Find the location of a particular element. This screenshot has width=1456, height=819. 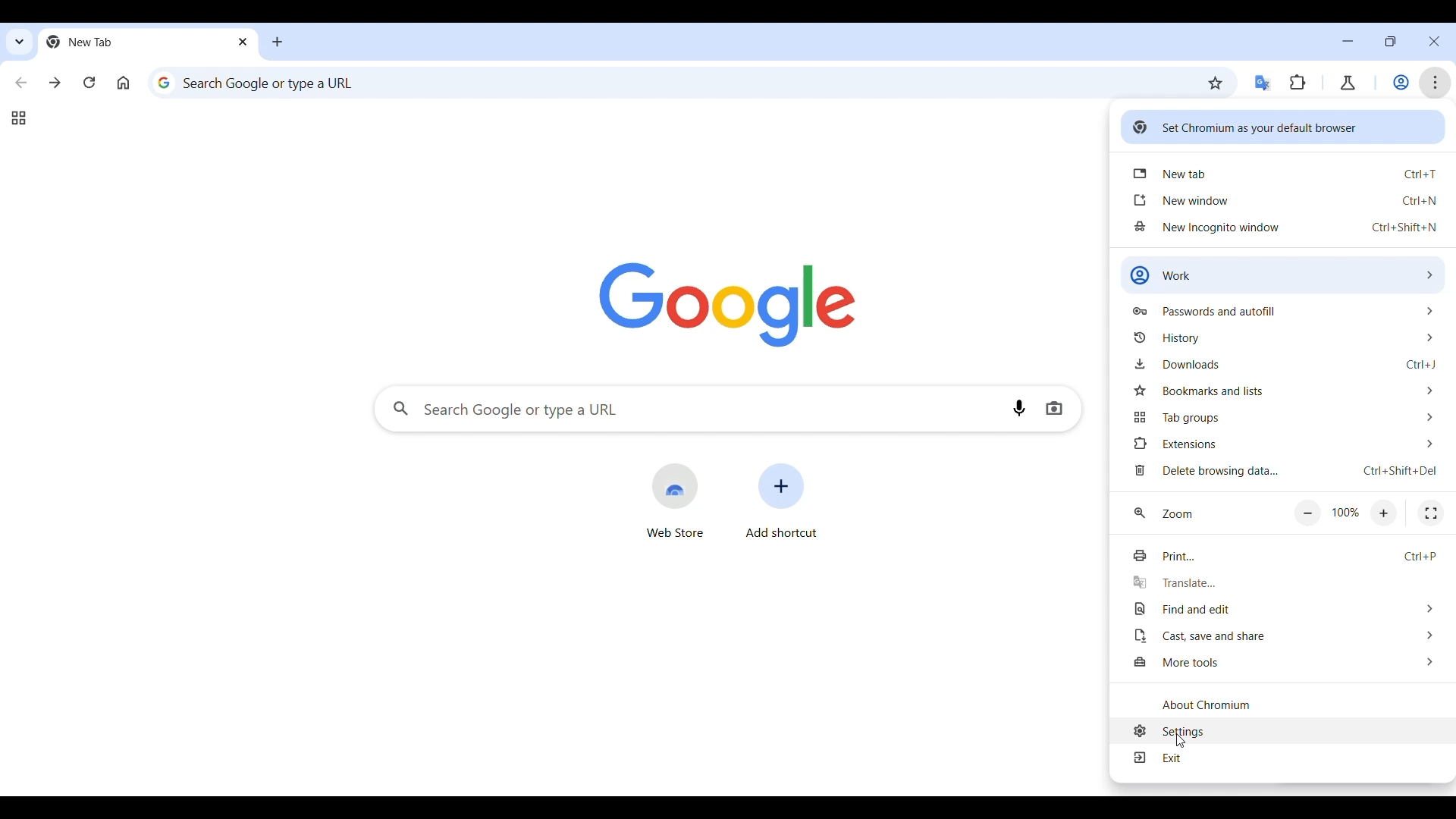

Chrome labs is located at coordinates (1348, 83).